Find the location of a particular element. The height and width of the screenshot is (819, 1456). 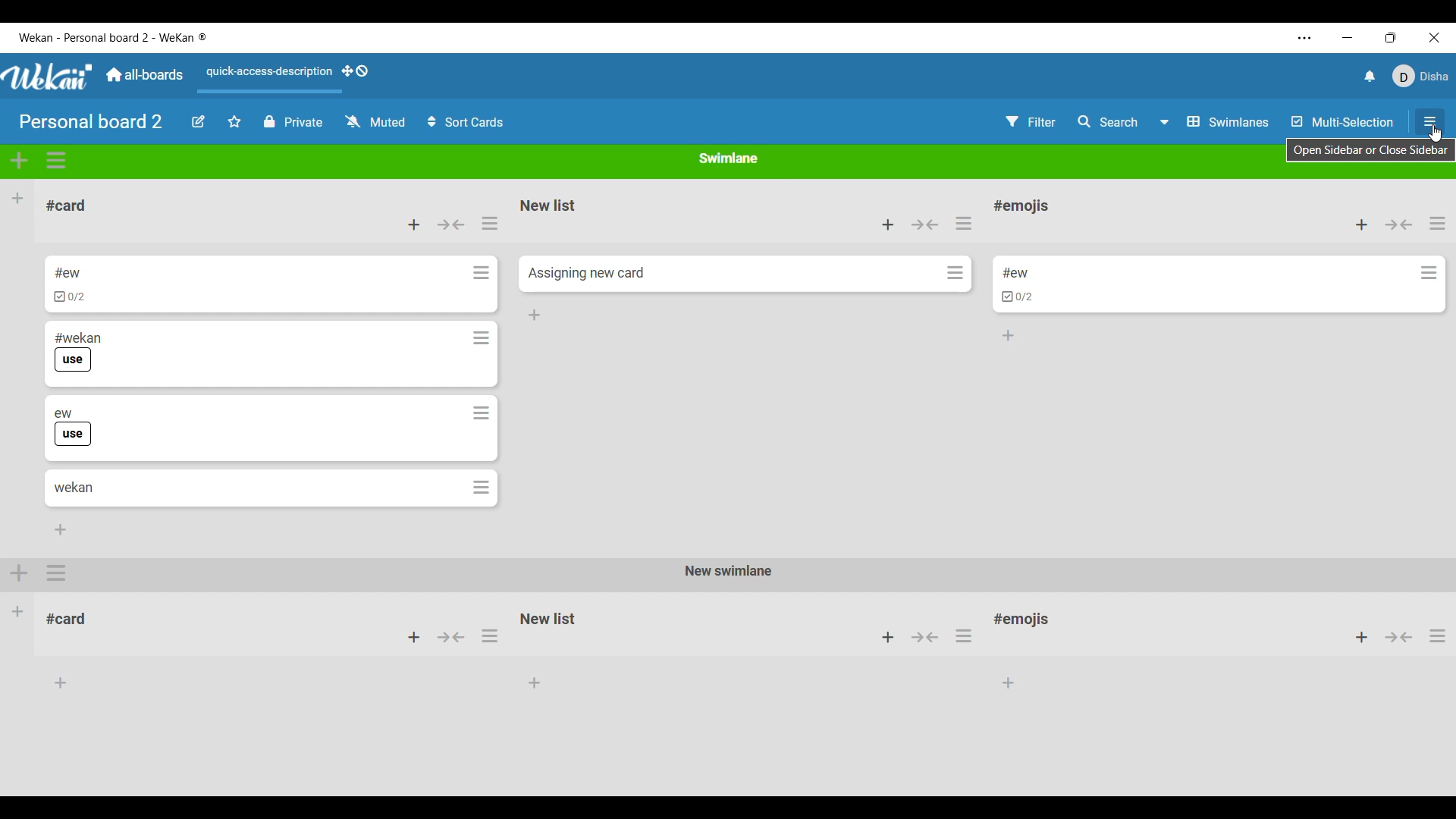

Multi-selection is located at coordinates (1342, 121).